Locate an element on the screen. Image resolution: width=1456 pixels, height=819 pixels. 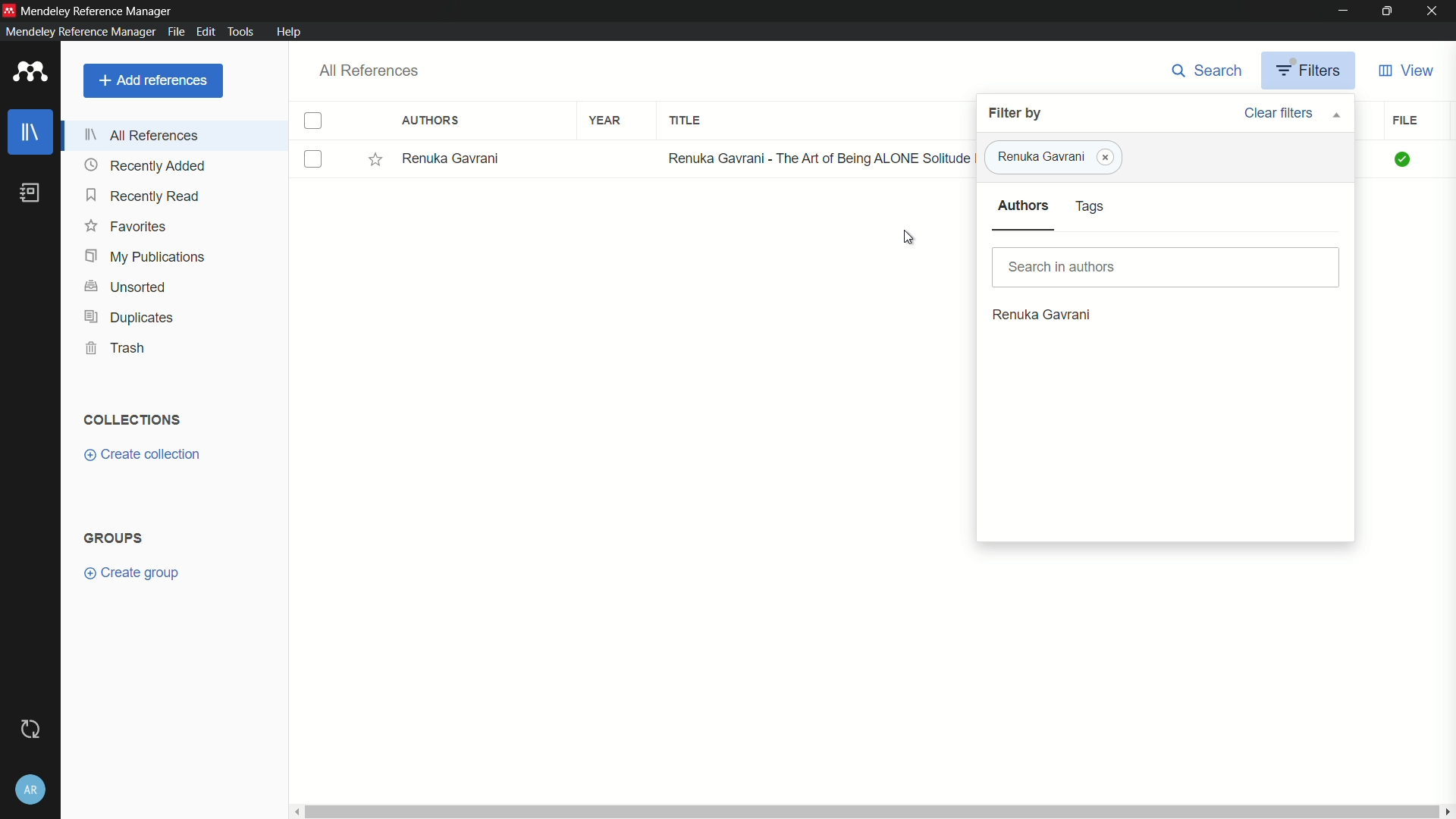
search is located at coordinates (1207, 71).